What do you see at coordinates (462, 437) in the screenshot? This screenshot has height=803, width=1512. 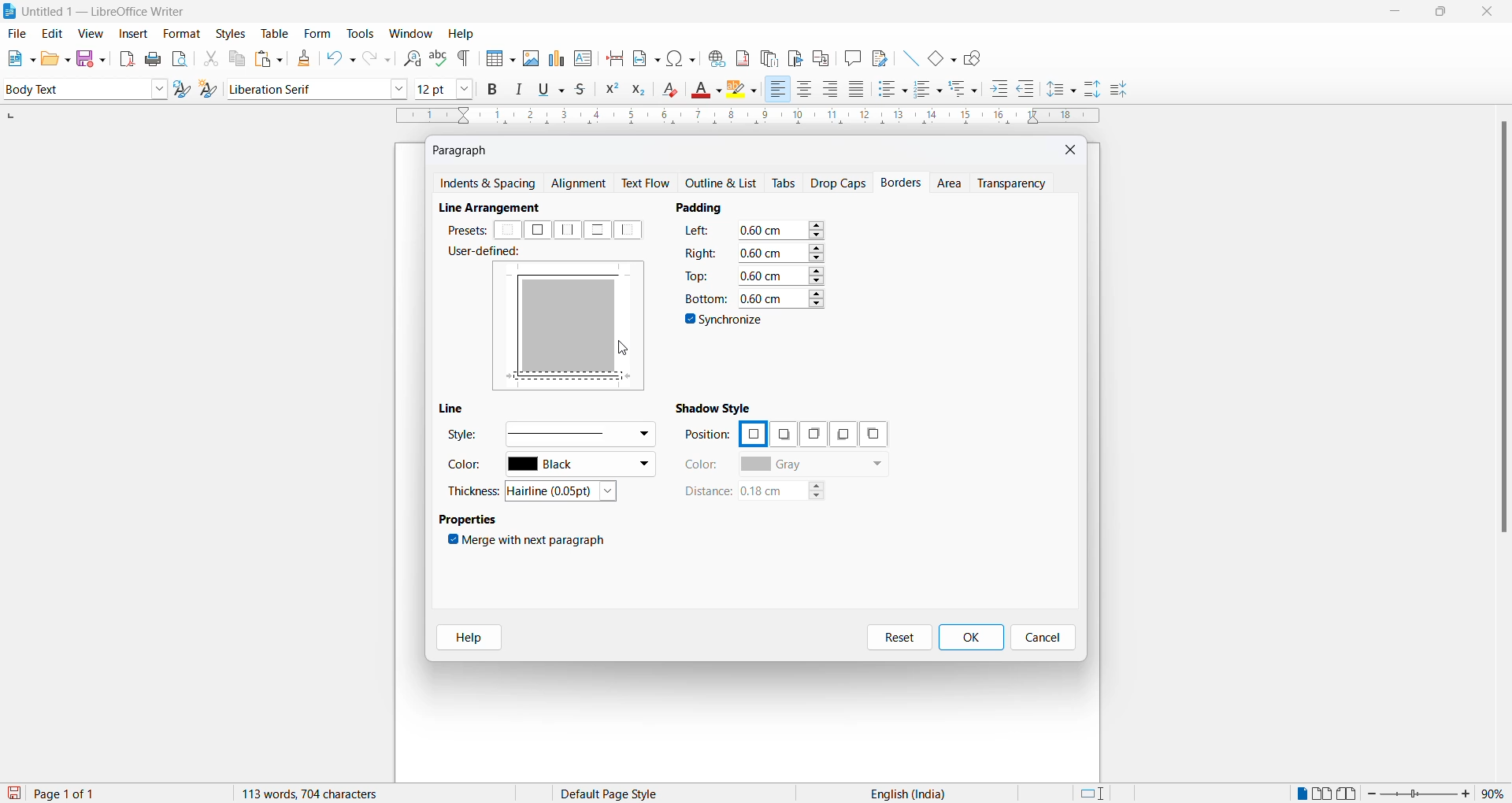 I see `syle` at bounding box center [462, 437].